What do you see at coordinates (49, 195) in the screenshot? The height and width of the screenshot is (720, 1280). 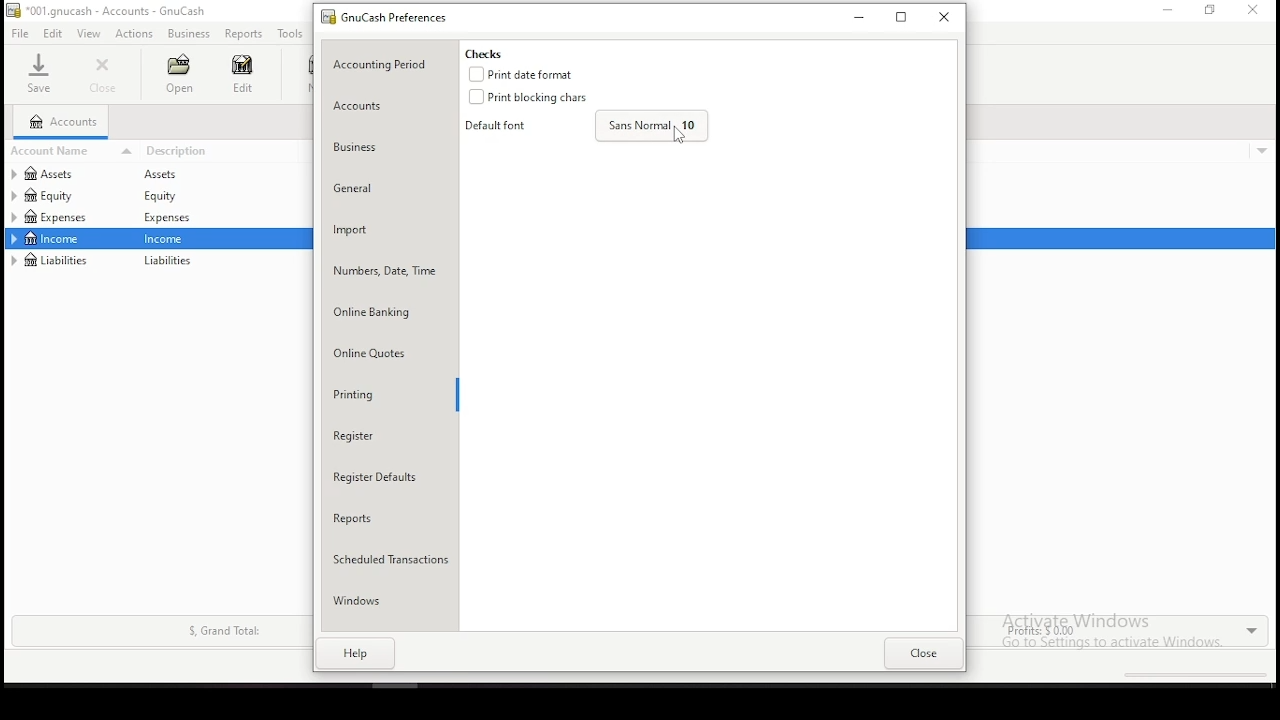 I see `equity` at bounding box center [49, 195].